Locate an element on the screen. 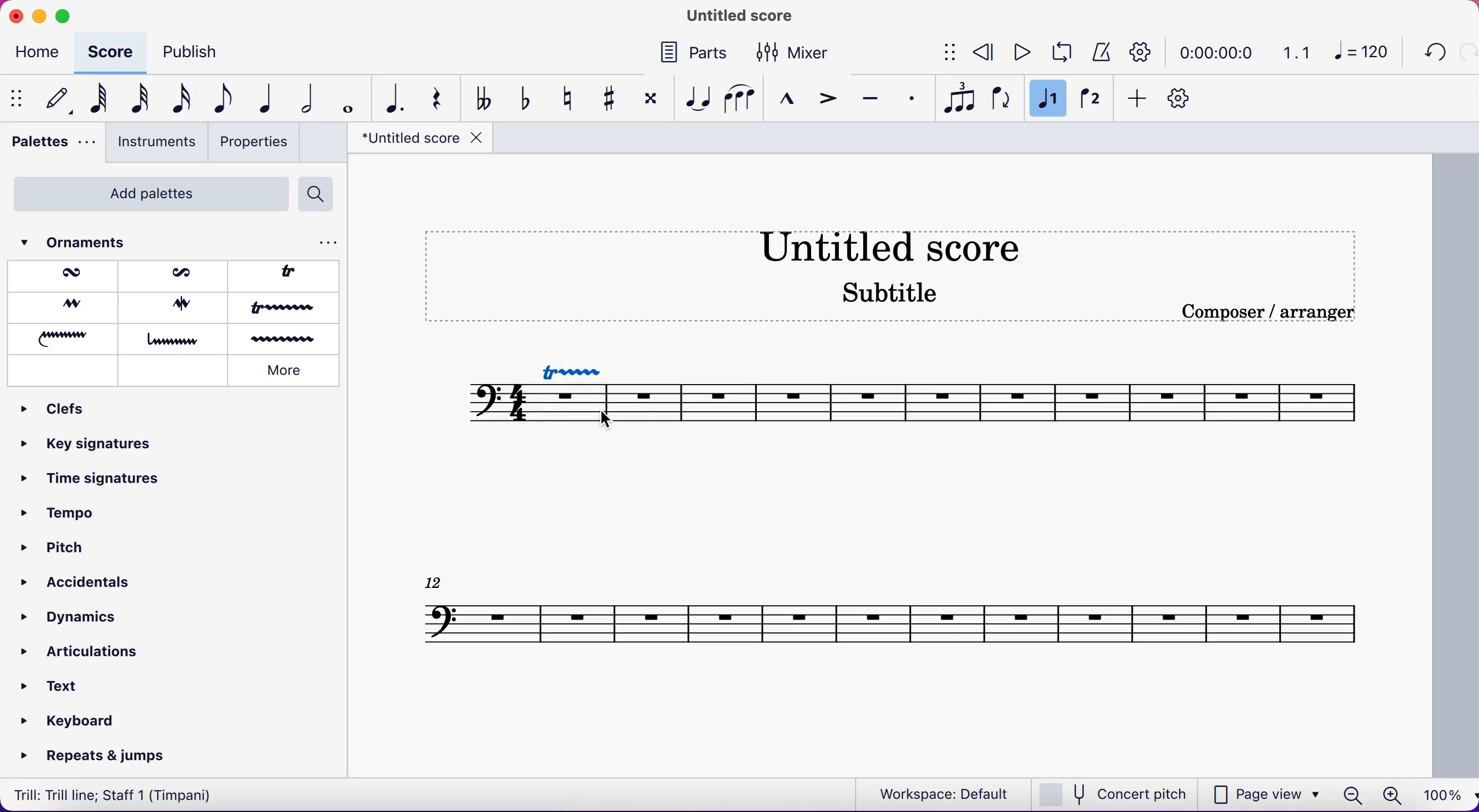  turn is located at coordinates (62, 307).